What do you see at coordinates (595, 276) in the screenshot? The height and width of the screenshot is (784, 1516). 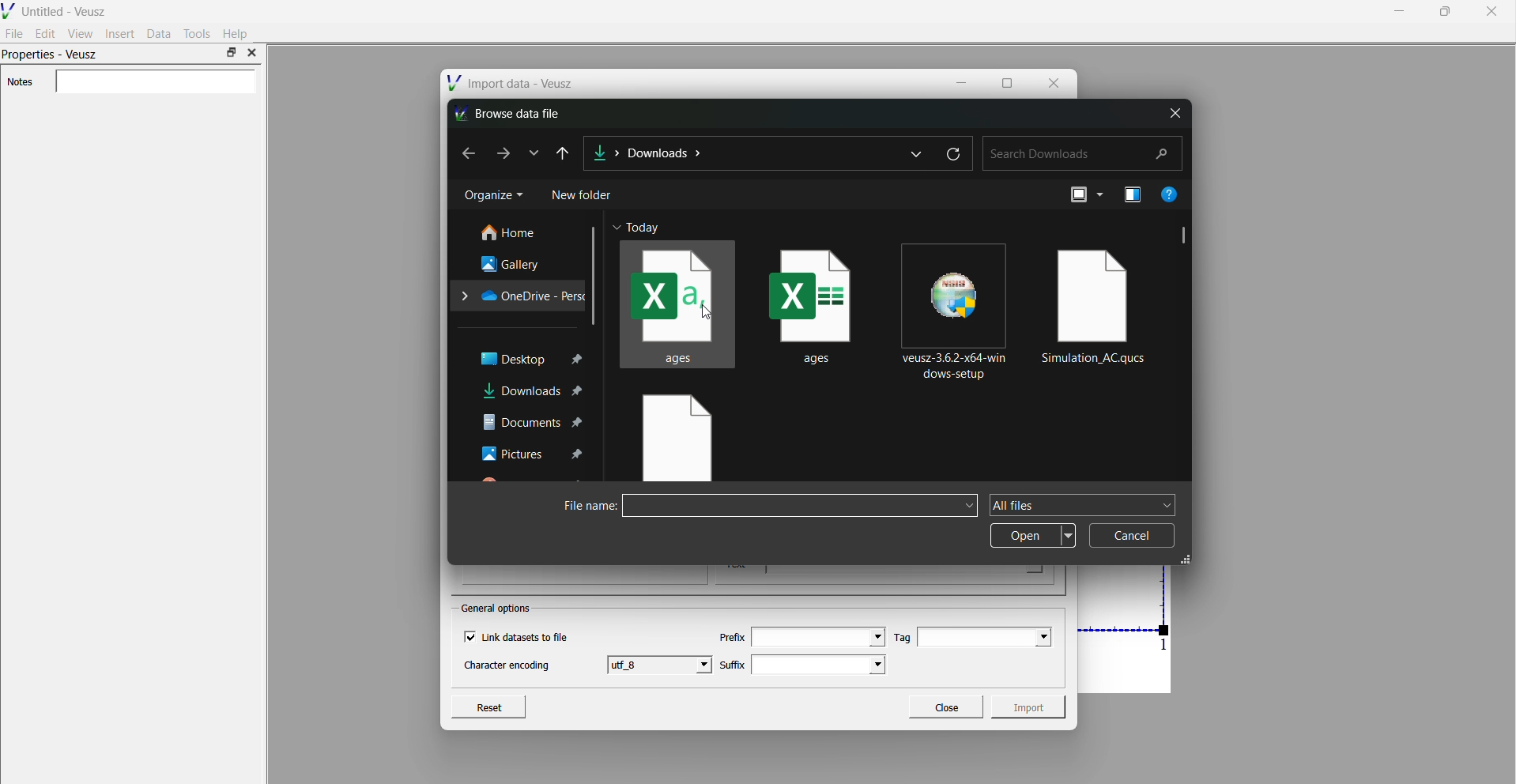 I see `scroll bar` at bounding box center [595, 276].